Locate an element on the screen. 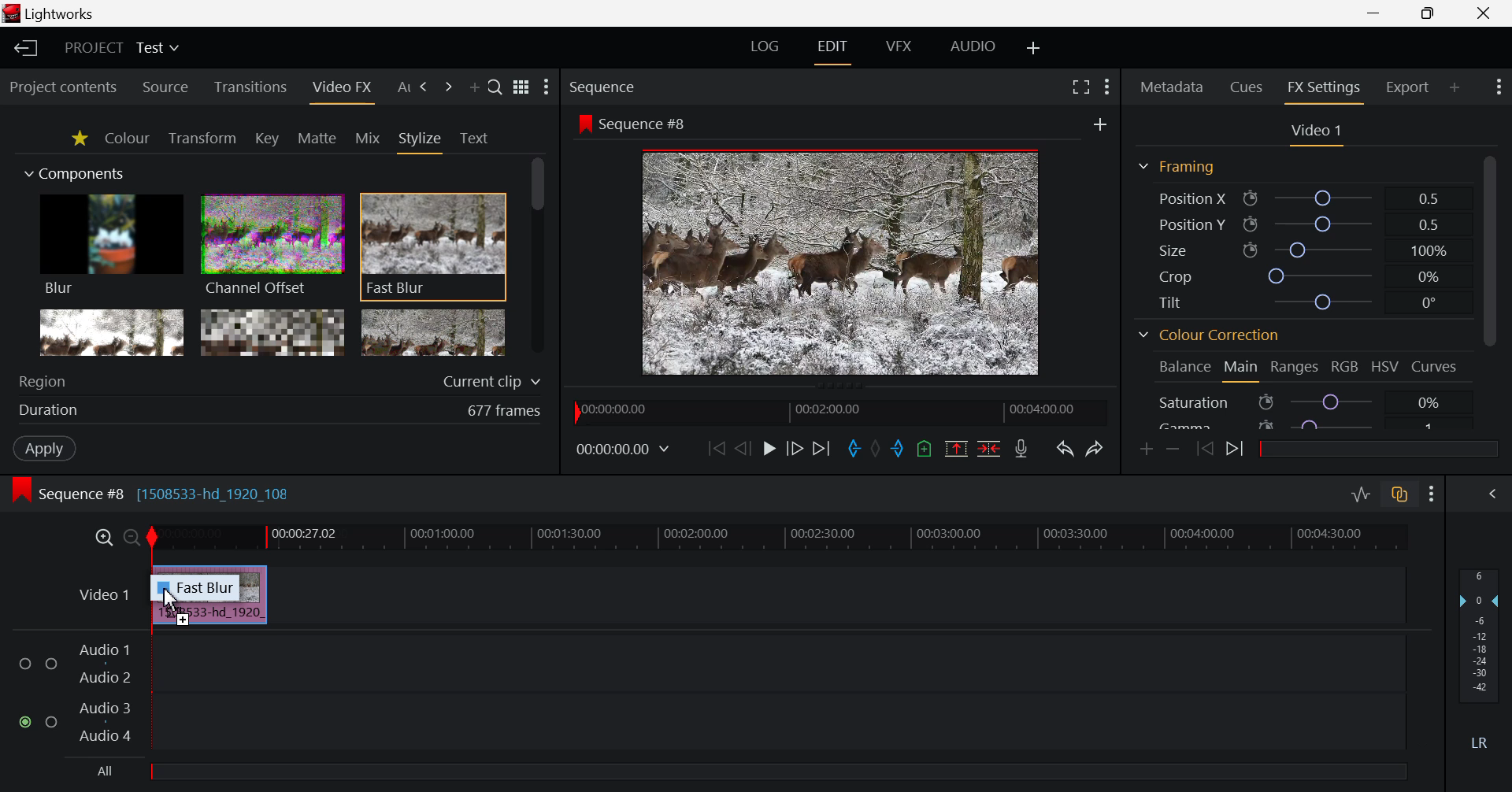 This screenshot has height=792, width=1512. All is located at coordinates (102, 770).